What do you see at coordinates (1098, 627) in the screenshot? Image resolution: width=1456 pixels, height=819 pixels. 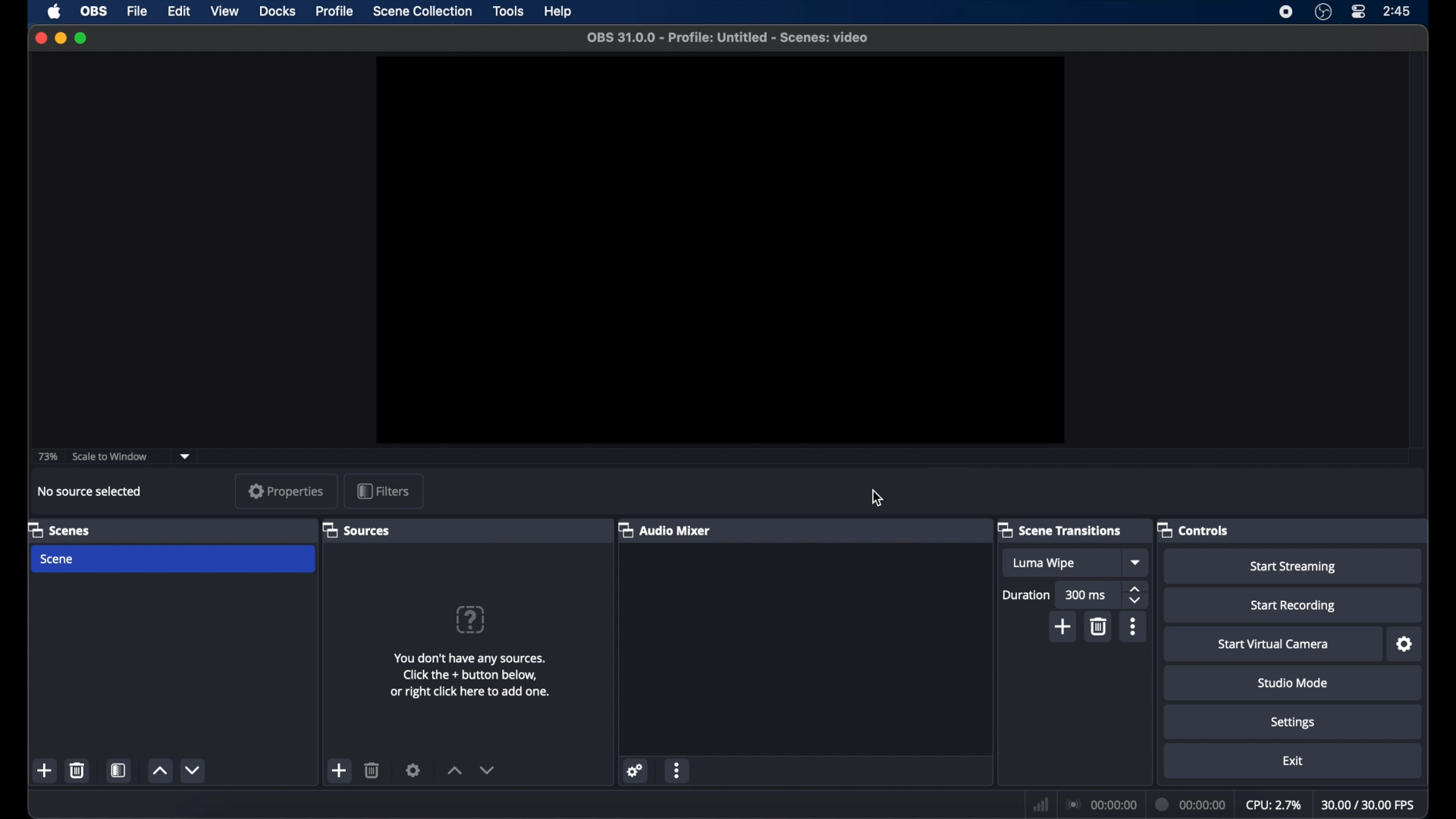 I see `delete` at bounding box center [1098, 627].